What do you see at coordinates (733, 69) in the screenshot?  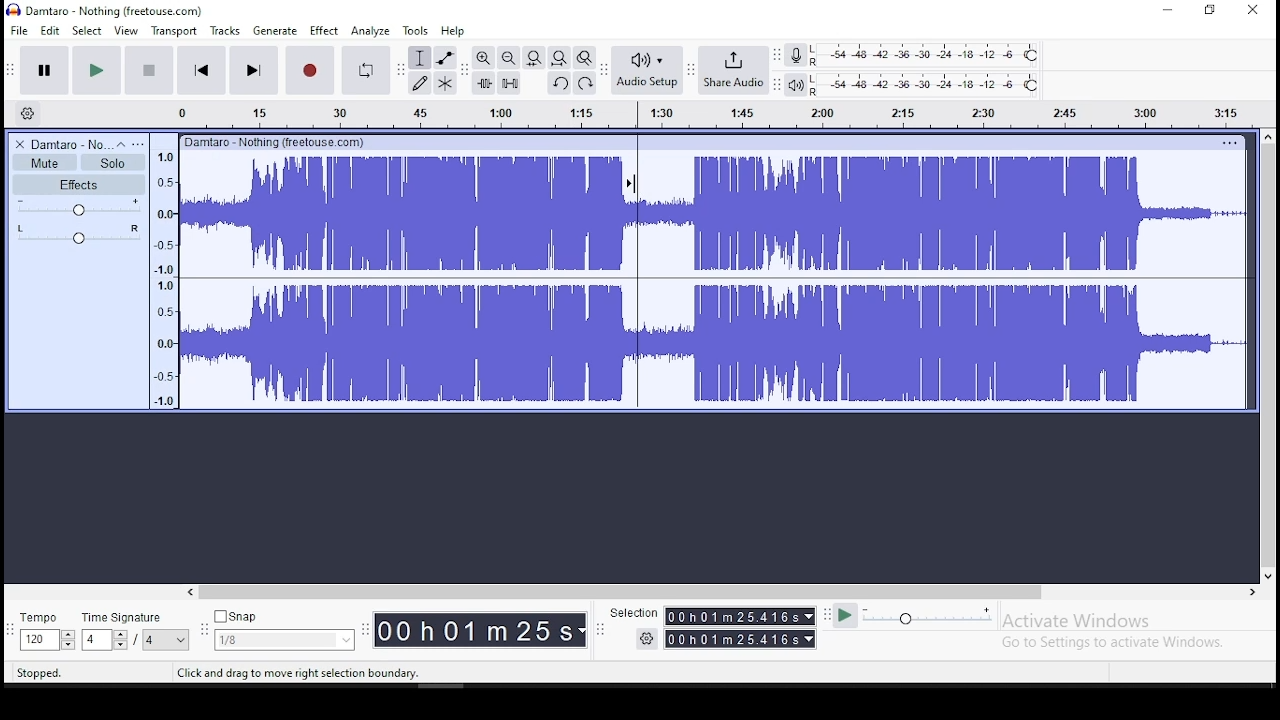 I see `share audio` at bounding box center [733, 69].